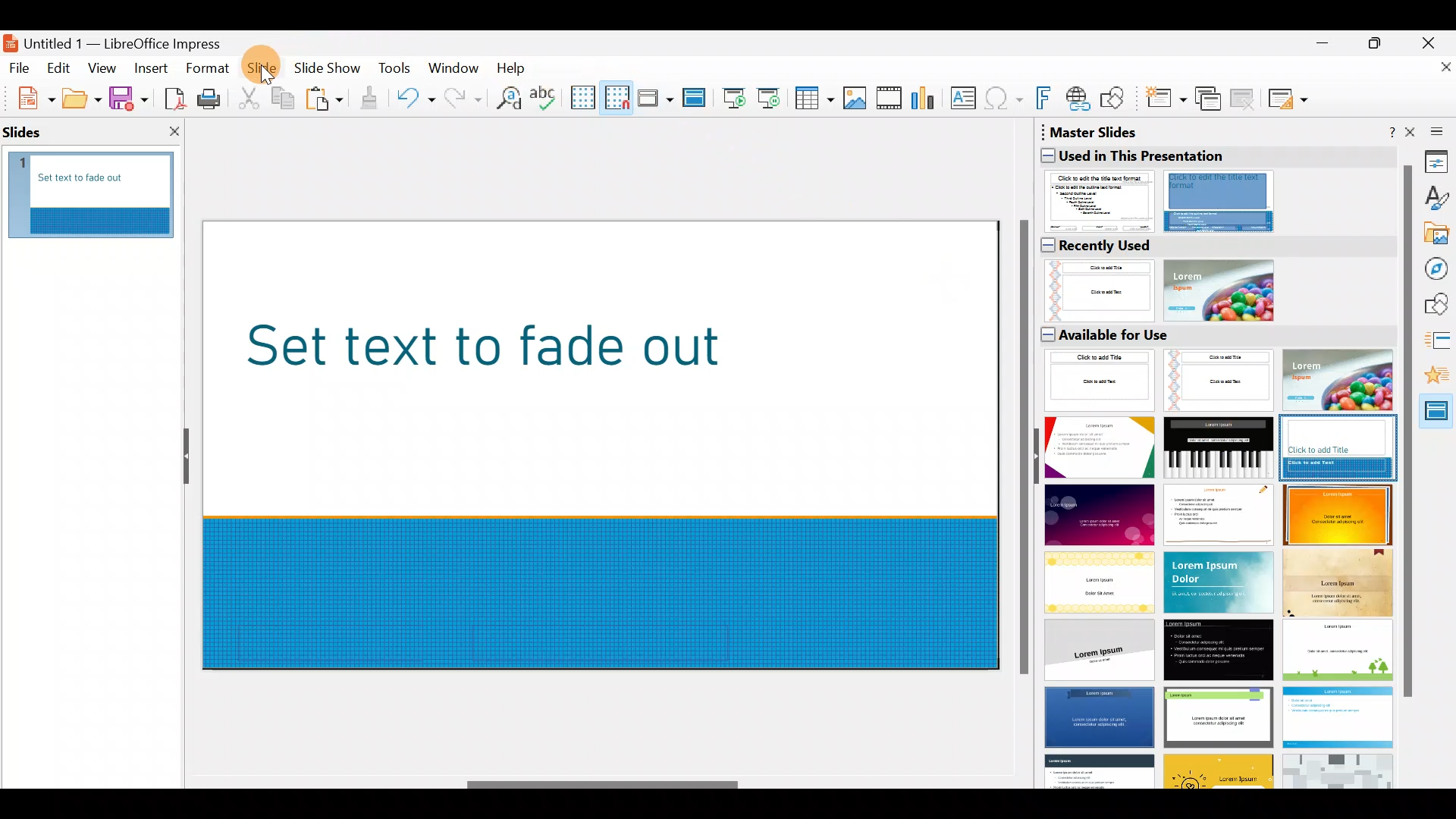 This screenshot has width=1456, height=819. Describe the element at coordinates (1209, 278) in the screenshot. I see `Recently used` at that location.